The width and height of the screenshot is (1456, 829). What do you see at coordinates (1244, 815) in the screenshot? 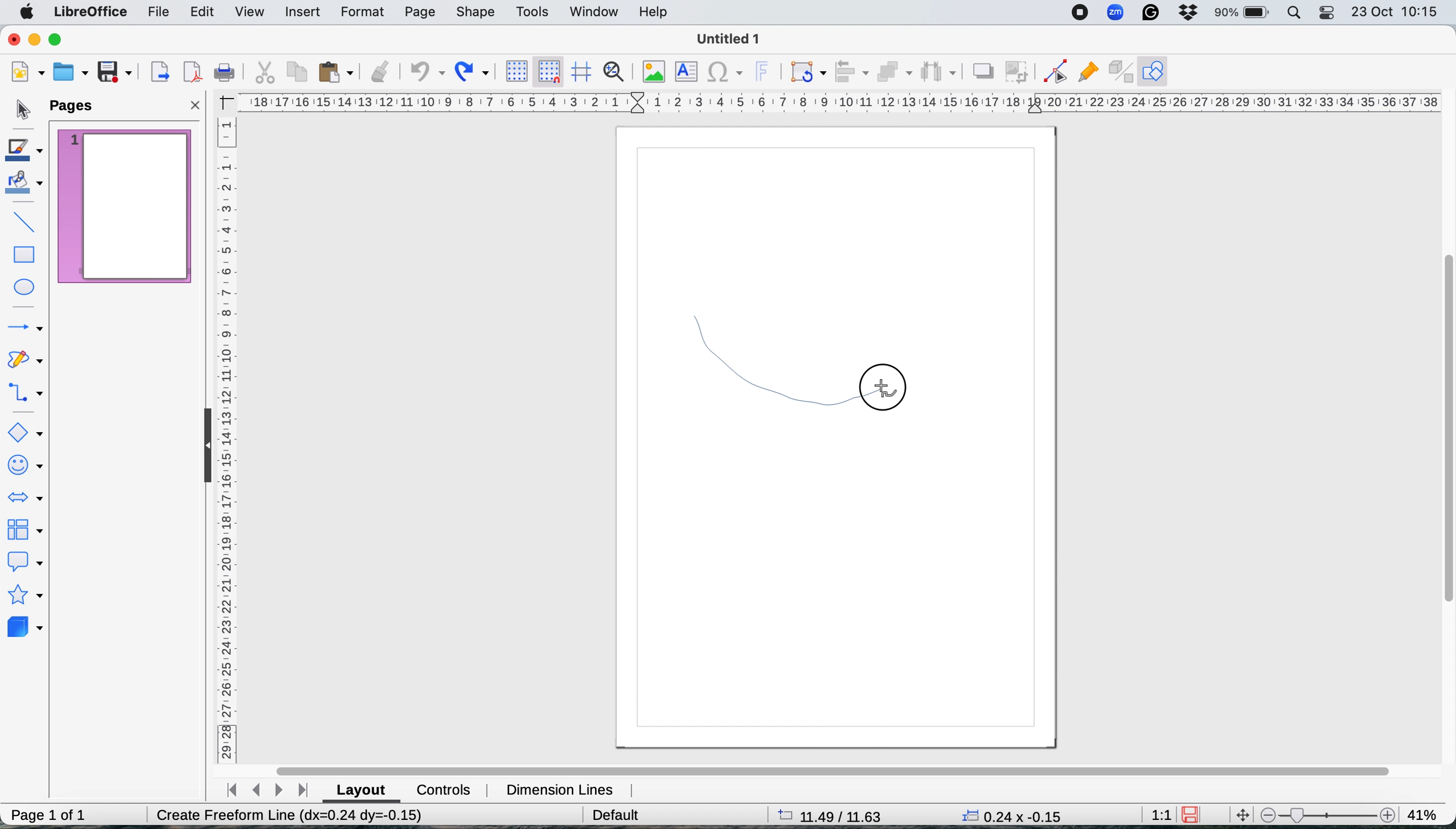
I see `move` at bounding box center [1244, 815].